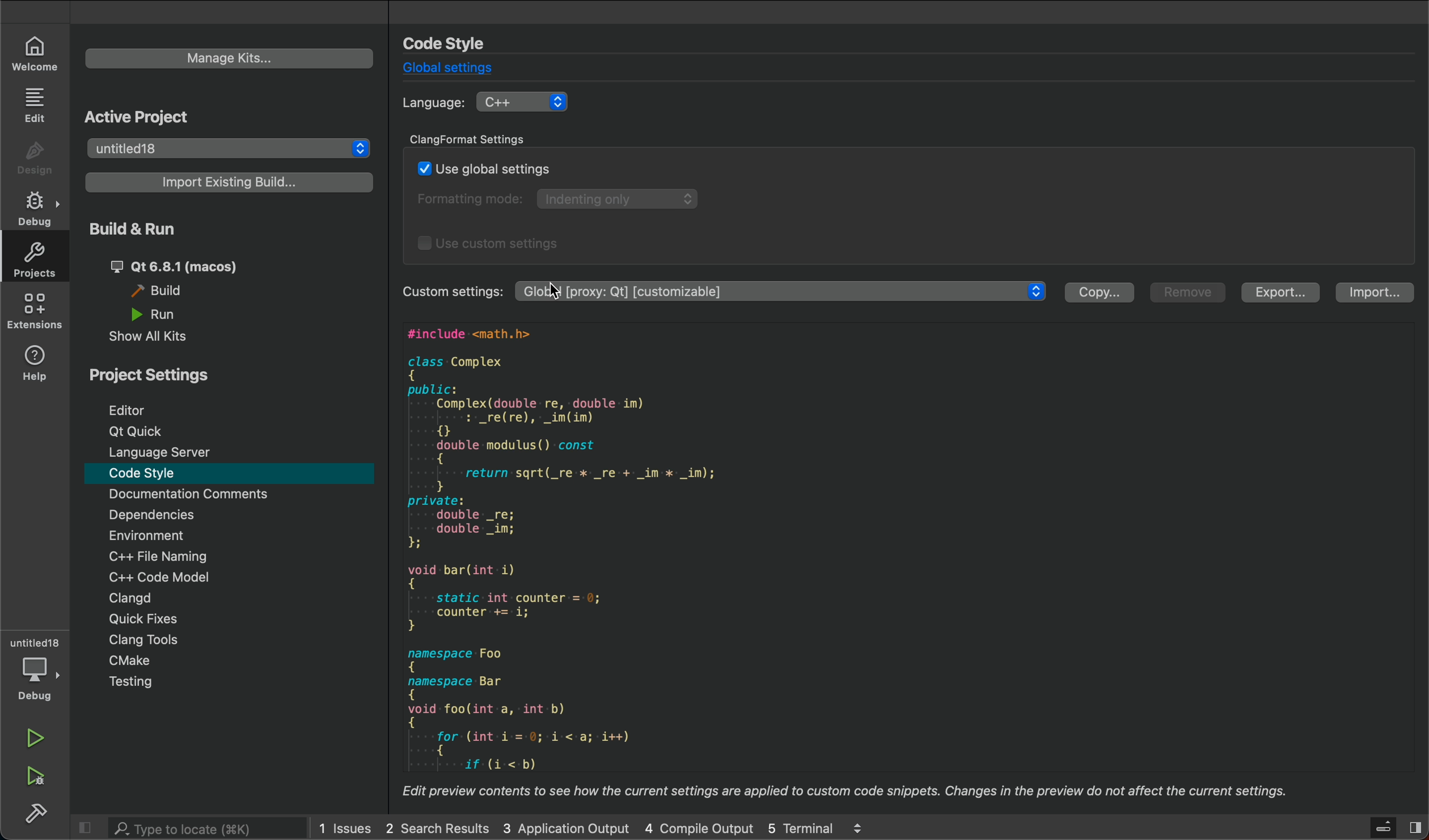 The image size is (1429, 840). Describe the element at coordinates (781, 291) in the screenshot. I see `Global [proxy: Qt] [customizable]` at that location.